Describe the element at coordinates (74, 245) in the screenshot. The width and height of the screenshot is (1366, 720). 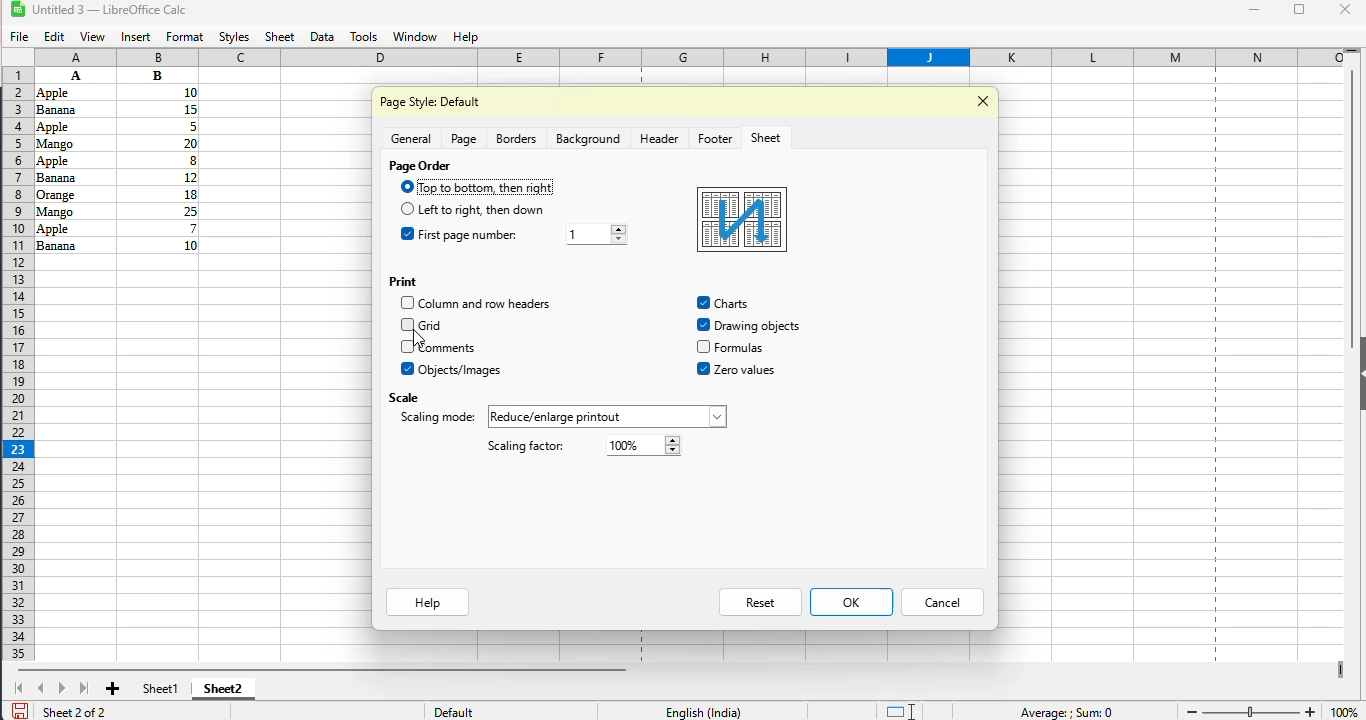
I see `` at that location.